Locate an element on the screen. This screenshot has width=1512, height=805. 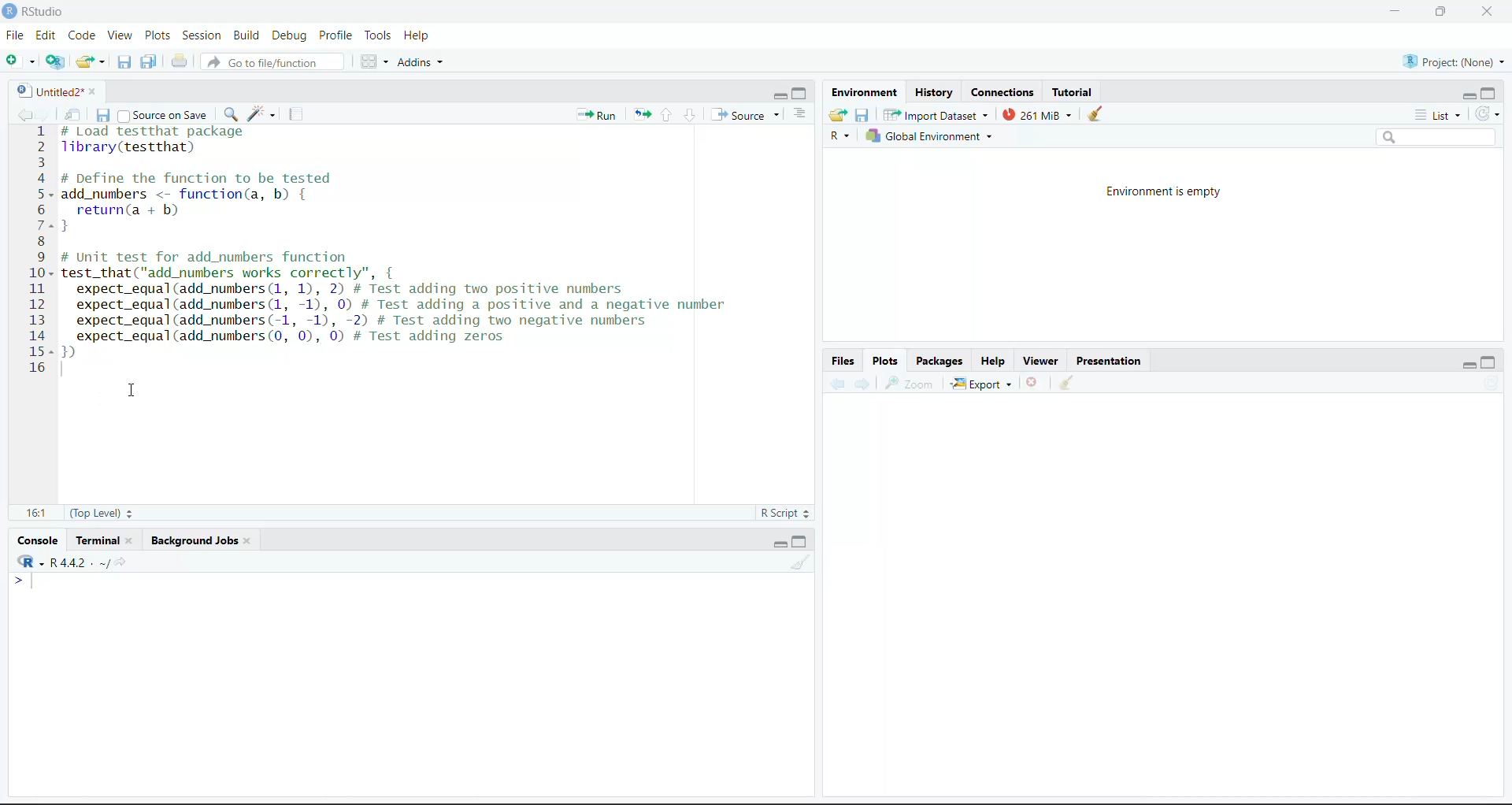
Forward is located at coordinates (862, 382).